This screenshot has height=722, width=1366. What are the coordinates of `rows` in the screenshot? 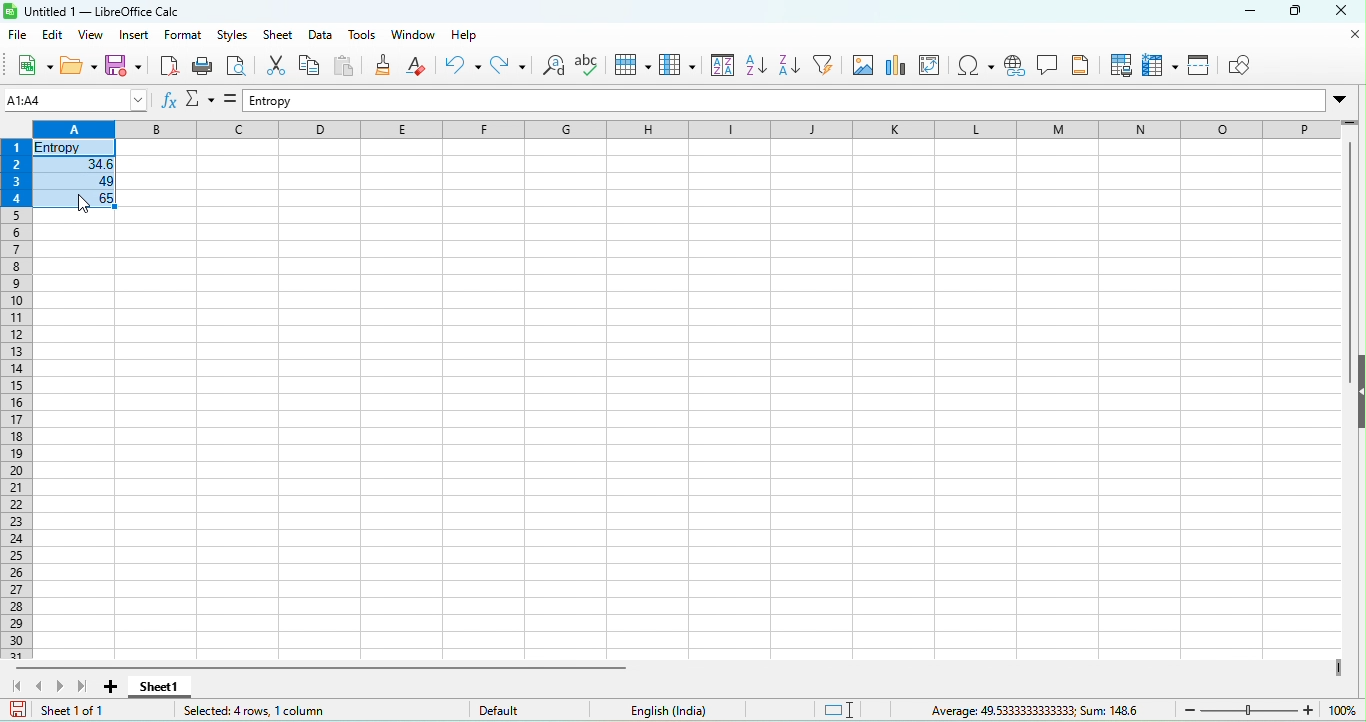 It's located at (15, 390).